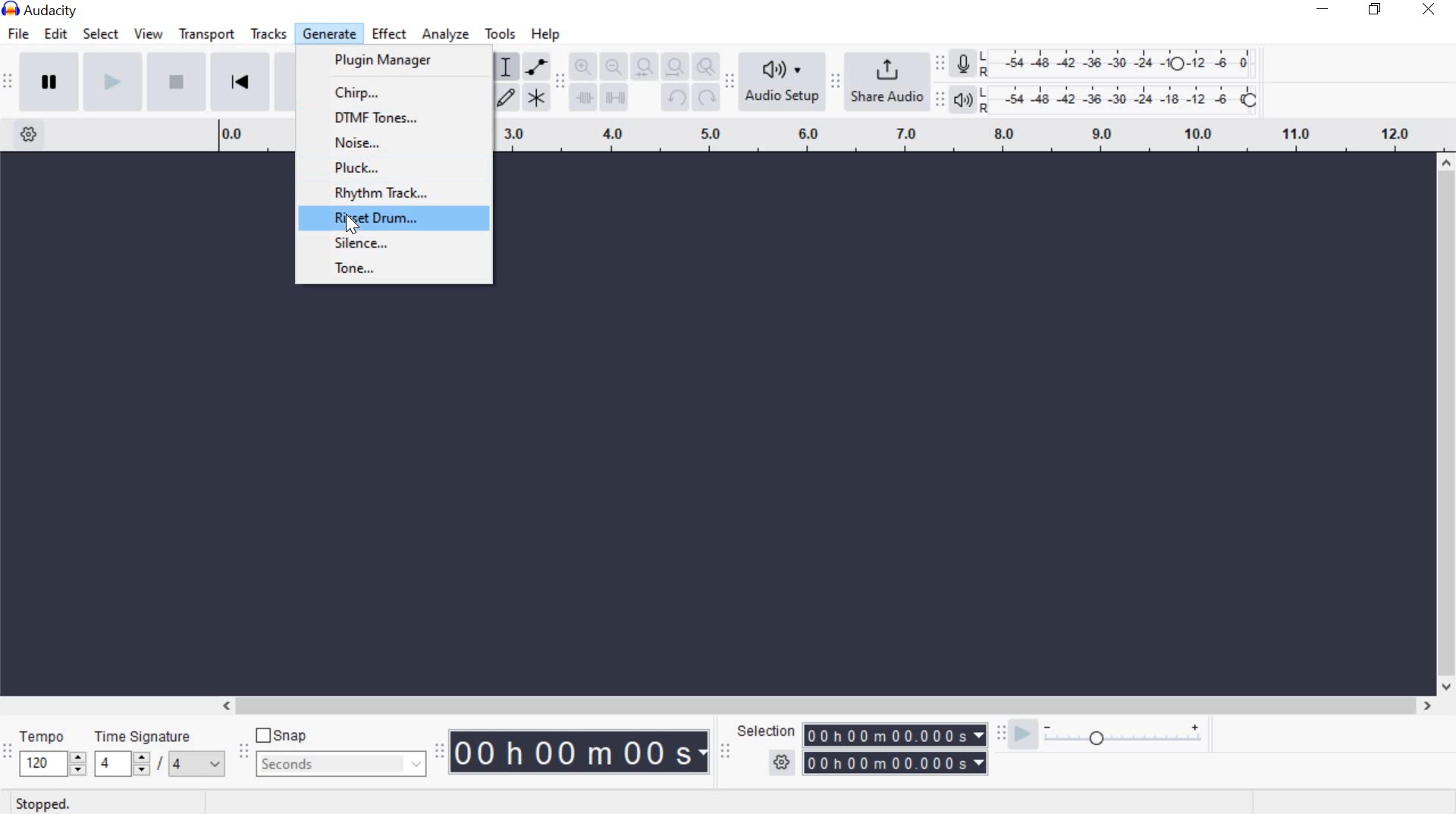 This screenshot has width=1456, height=814. I want to click on tracks, so click(268, 34).